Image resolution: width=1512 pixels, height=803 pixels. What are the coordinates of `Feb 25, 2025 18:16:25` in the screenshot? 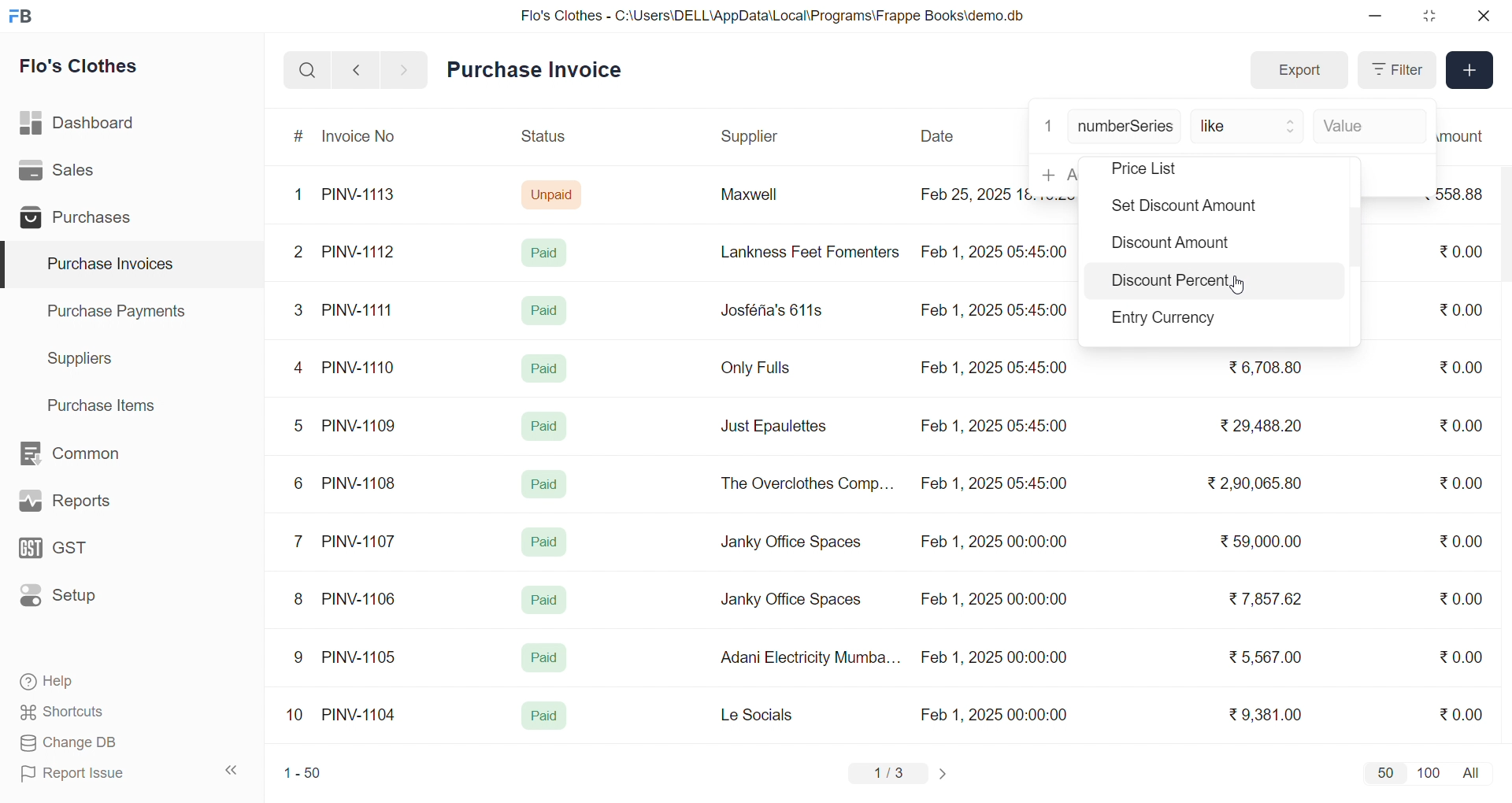 It's located at (972, 194).